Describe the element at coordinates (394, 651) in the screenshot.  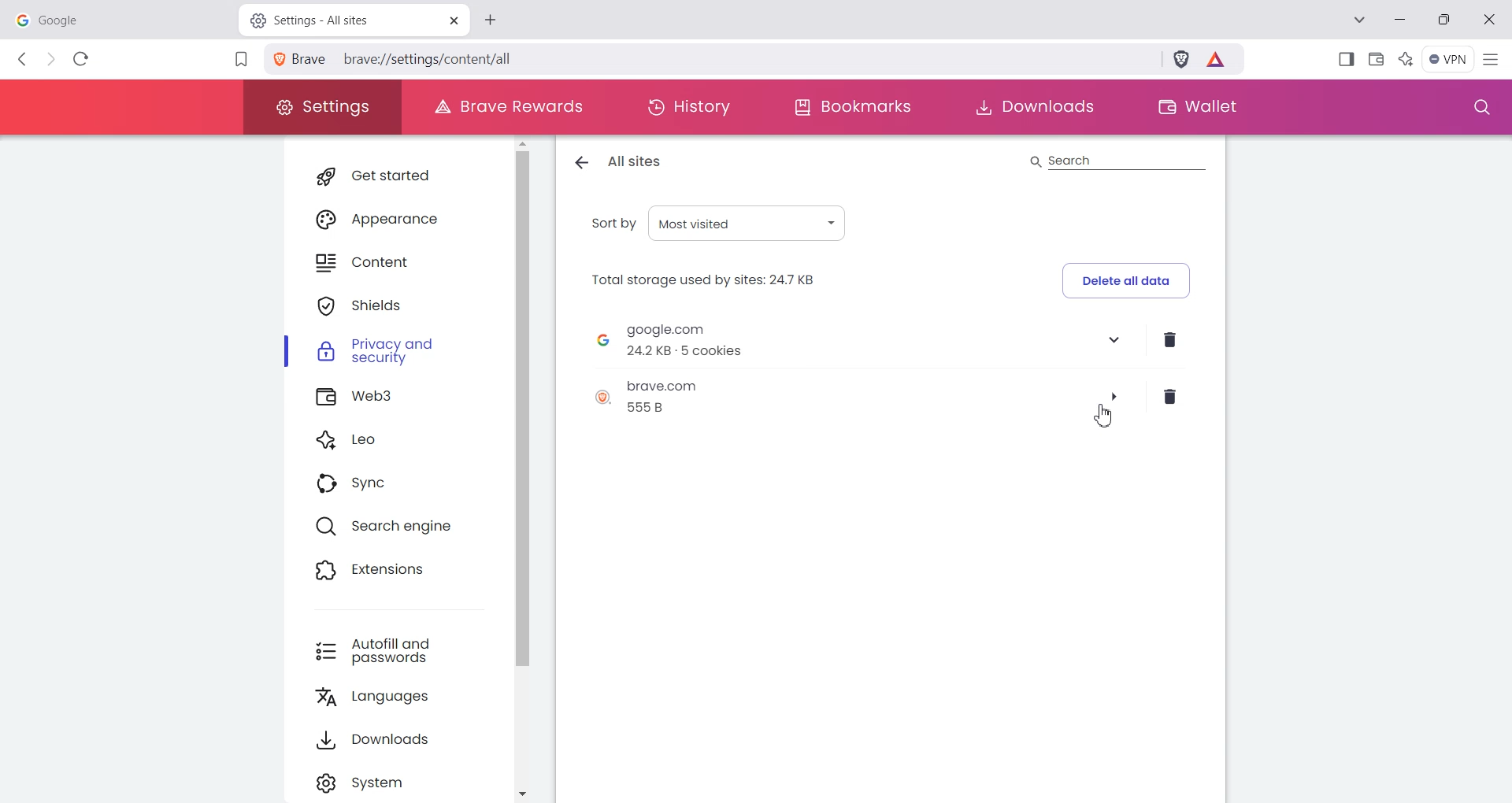
I see `Autofill and passwords` at that location.